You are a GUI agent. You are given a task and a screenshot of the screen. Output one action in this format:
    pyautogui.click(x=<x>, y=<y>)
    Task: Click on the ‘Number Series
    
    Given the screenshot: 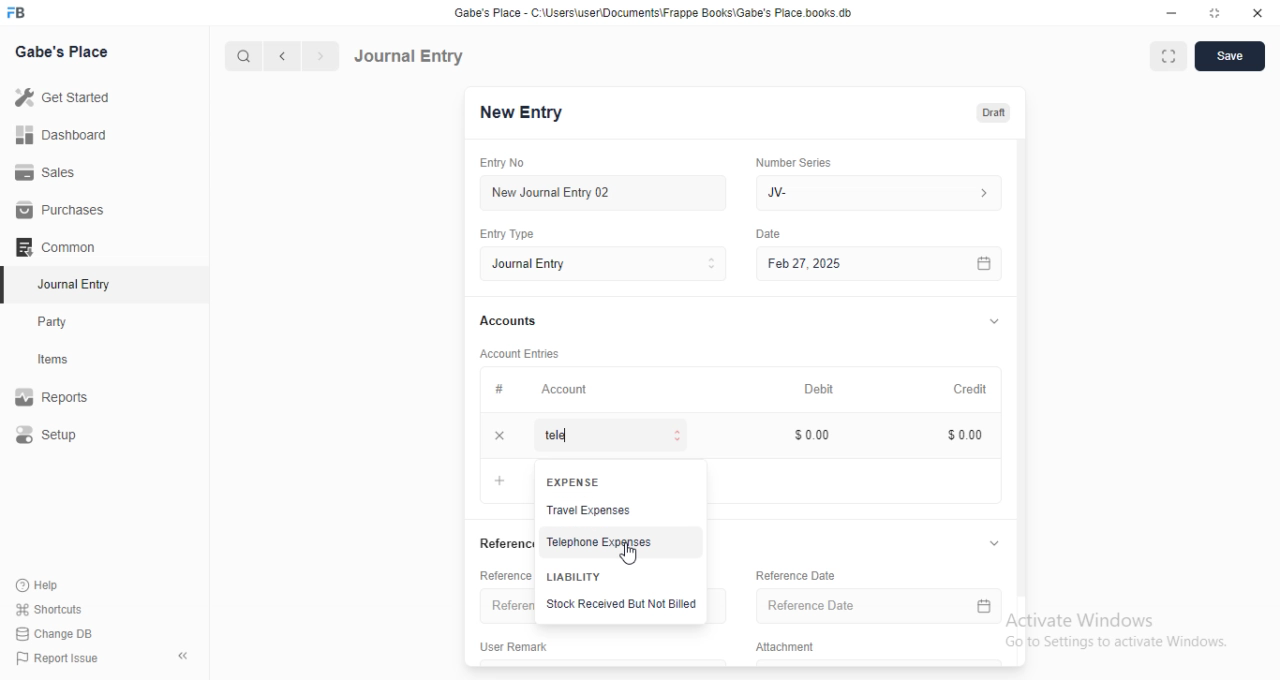 What is the action you would take?
    pyautogui.click(x=794, y=162)
    